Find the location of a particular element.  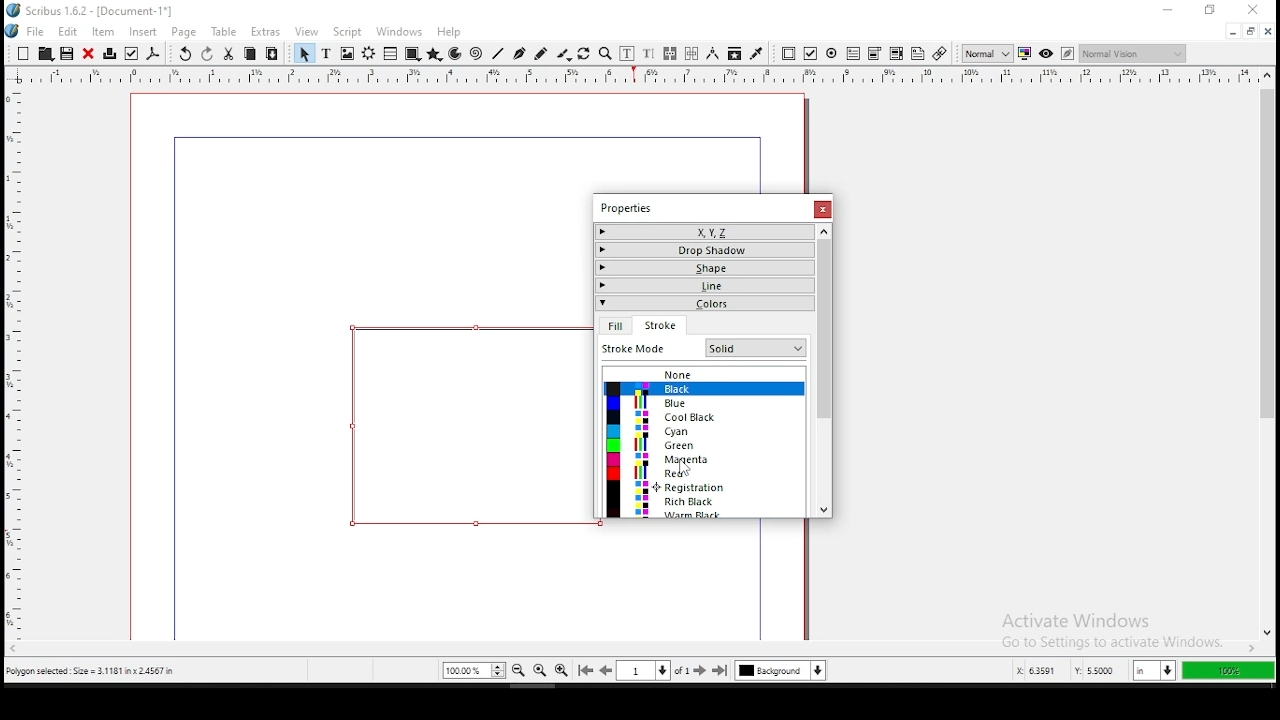

zoom in is located at coordinates (562, 671).